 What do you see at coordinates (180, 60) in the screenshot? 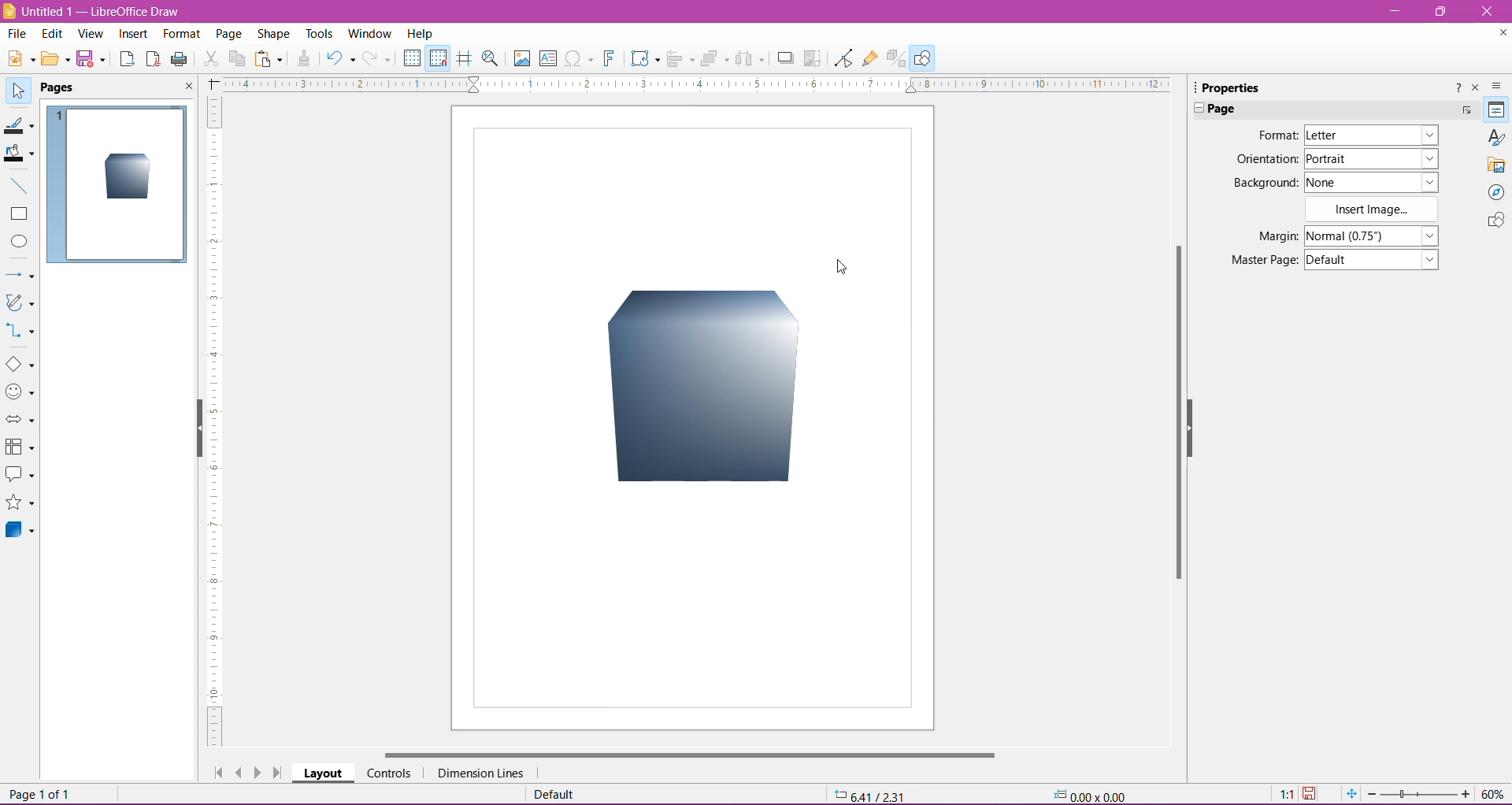
I see `Print` at bounding box center [180, 60].